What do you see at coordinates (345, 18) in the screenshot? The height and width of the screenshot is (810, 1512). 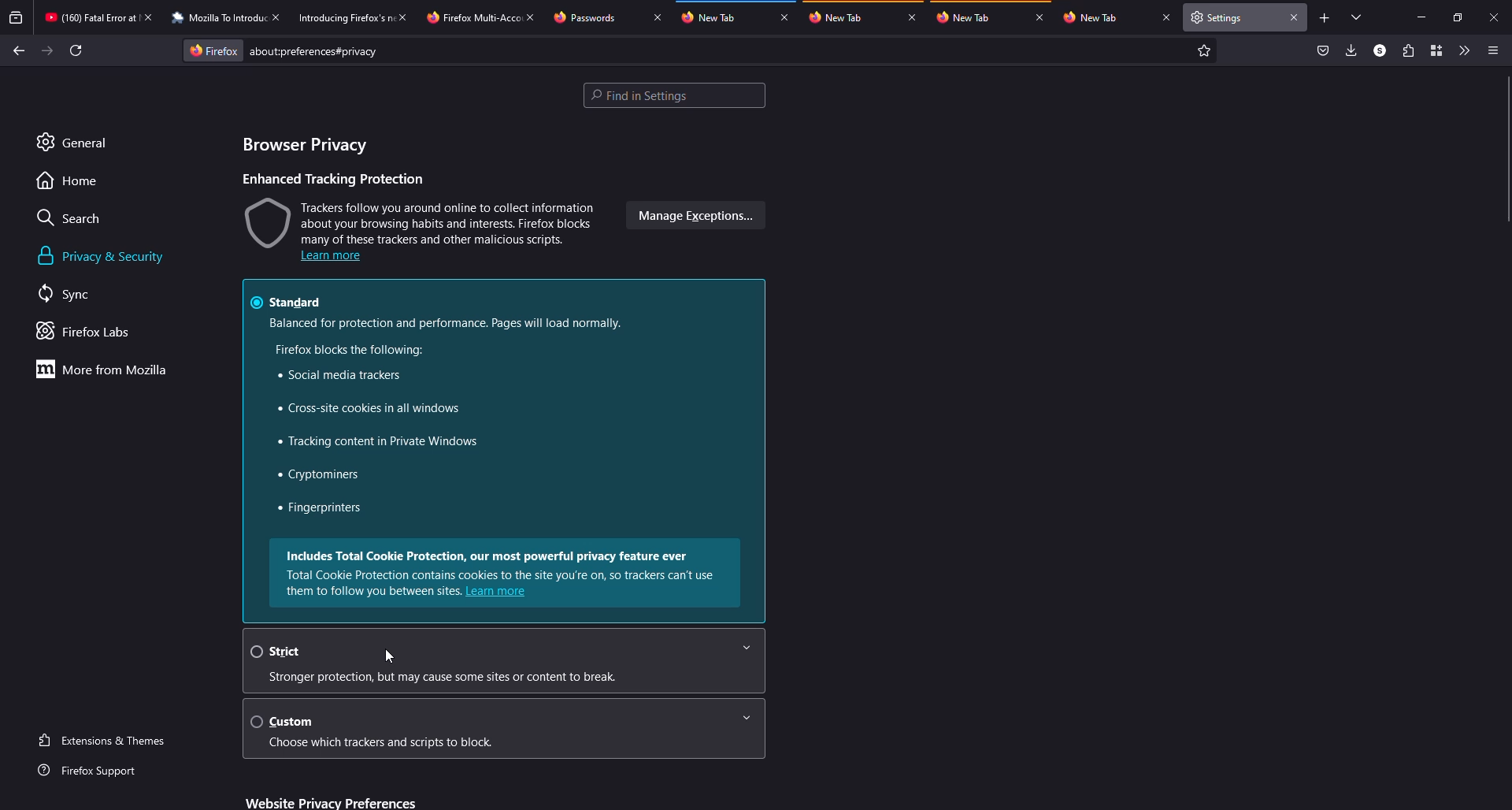 I see `tab` at bounding box center [345, 18].